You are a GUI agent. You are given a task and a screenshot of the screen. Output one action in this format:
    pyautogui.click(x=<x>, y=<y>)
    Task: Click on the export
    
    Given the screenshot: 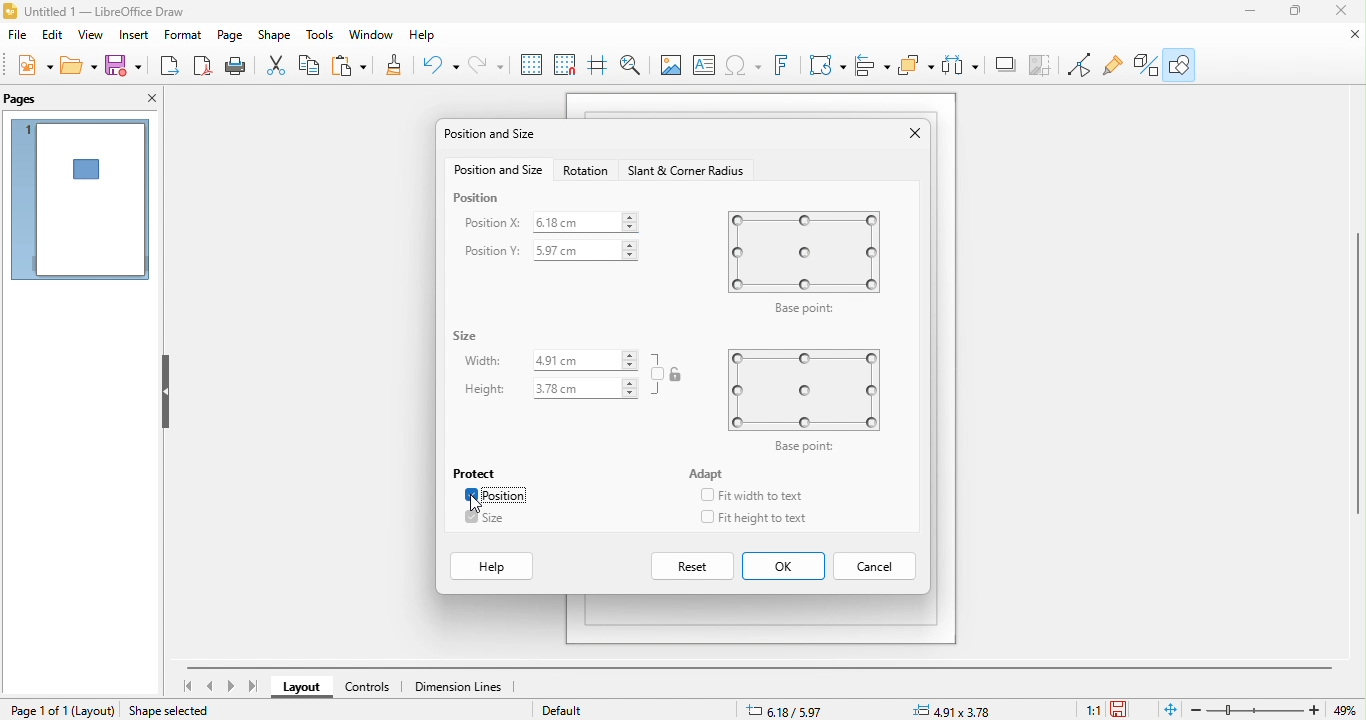 What is the action you would take?
    pyautogui.click(x=167, y=66)
    